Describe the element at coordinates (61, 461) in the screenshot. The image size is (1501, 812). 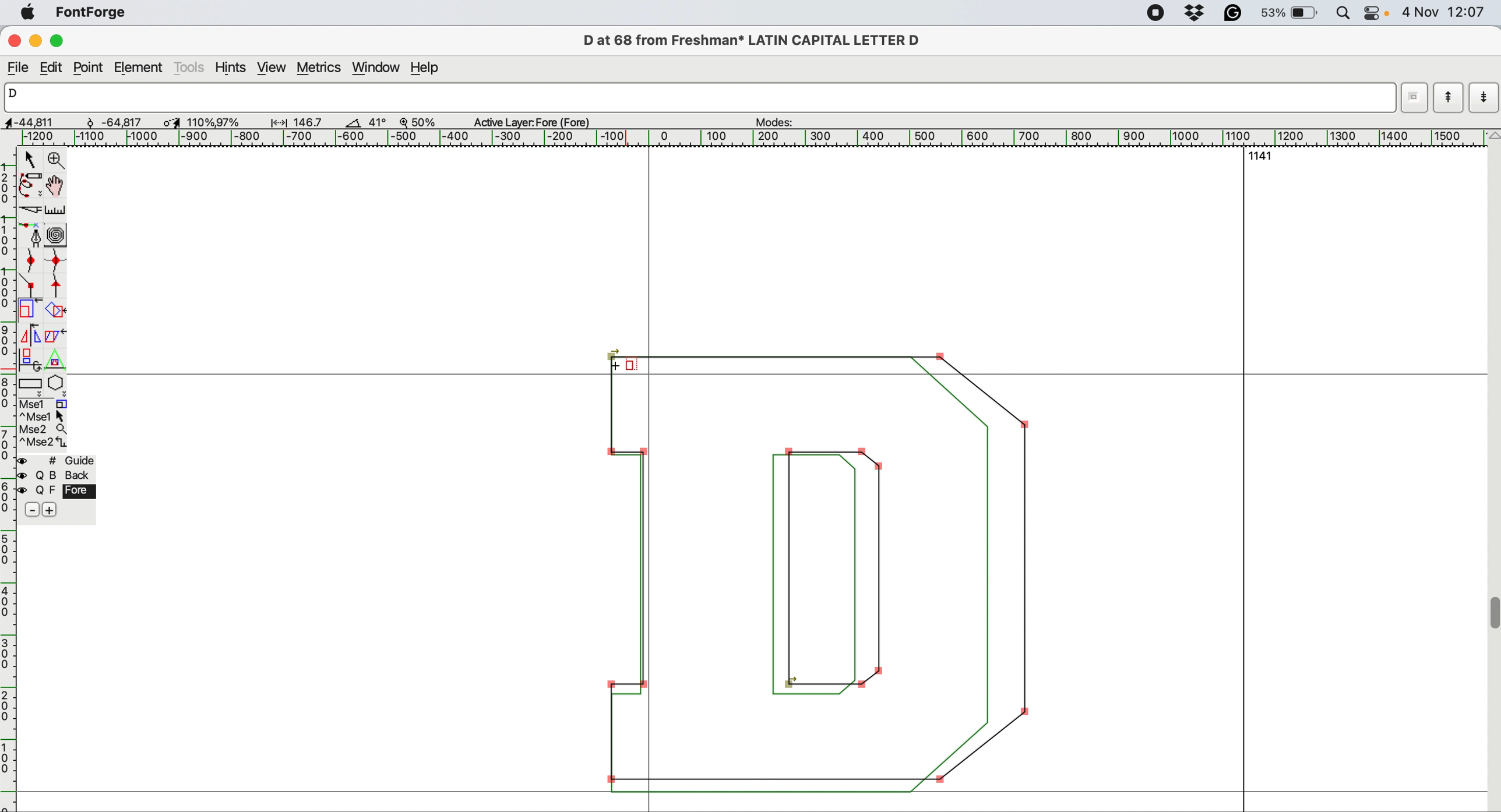
I see `# guide` at that location.